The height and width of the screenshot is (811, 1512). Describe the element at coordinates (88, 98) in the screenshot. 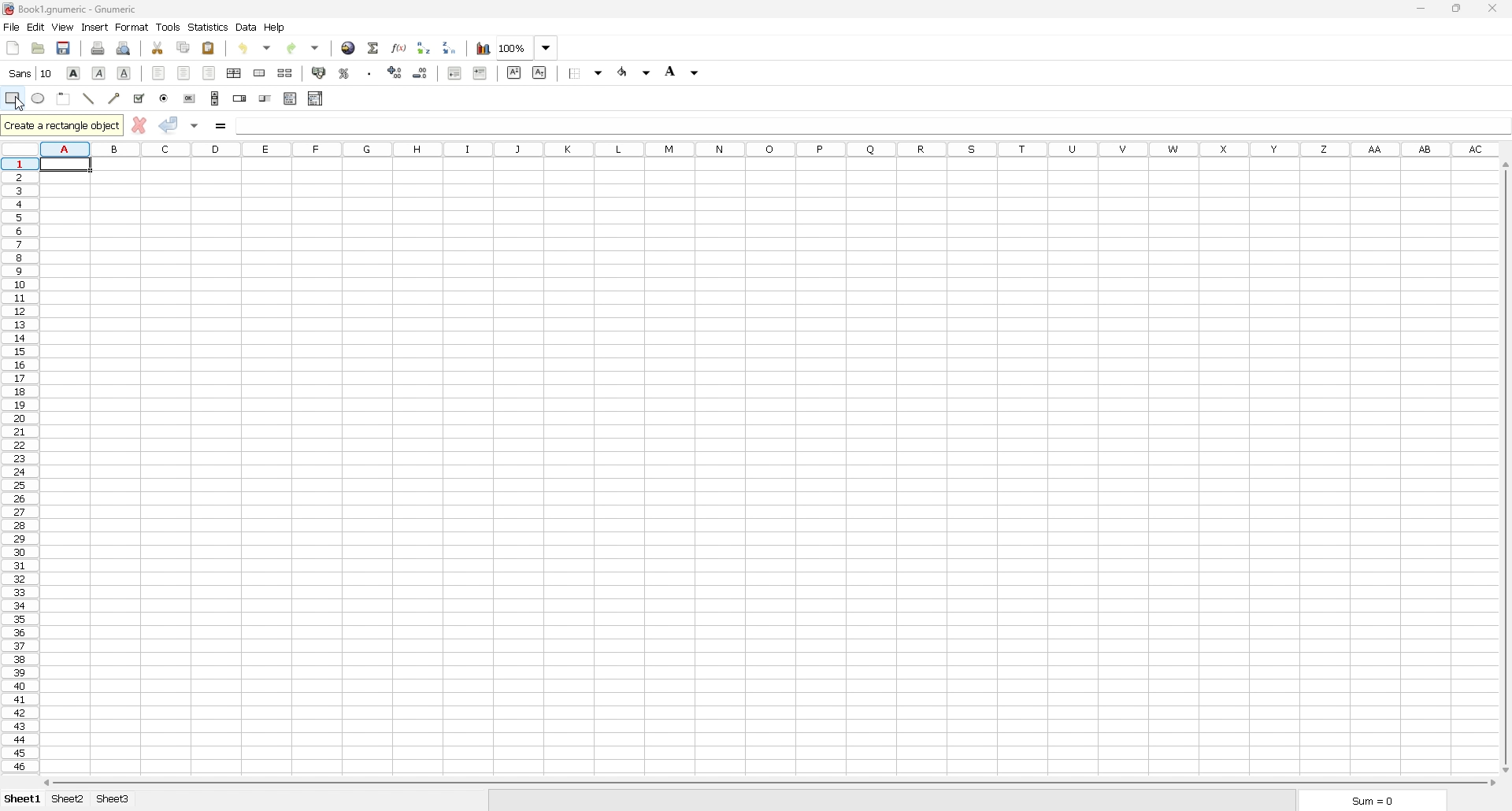

I see `line` at that location.